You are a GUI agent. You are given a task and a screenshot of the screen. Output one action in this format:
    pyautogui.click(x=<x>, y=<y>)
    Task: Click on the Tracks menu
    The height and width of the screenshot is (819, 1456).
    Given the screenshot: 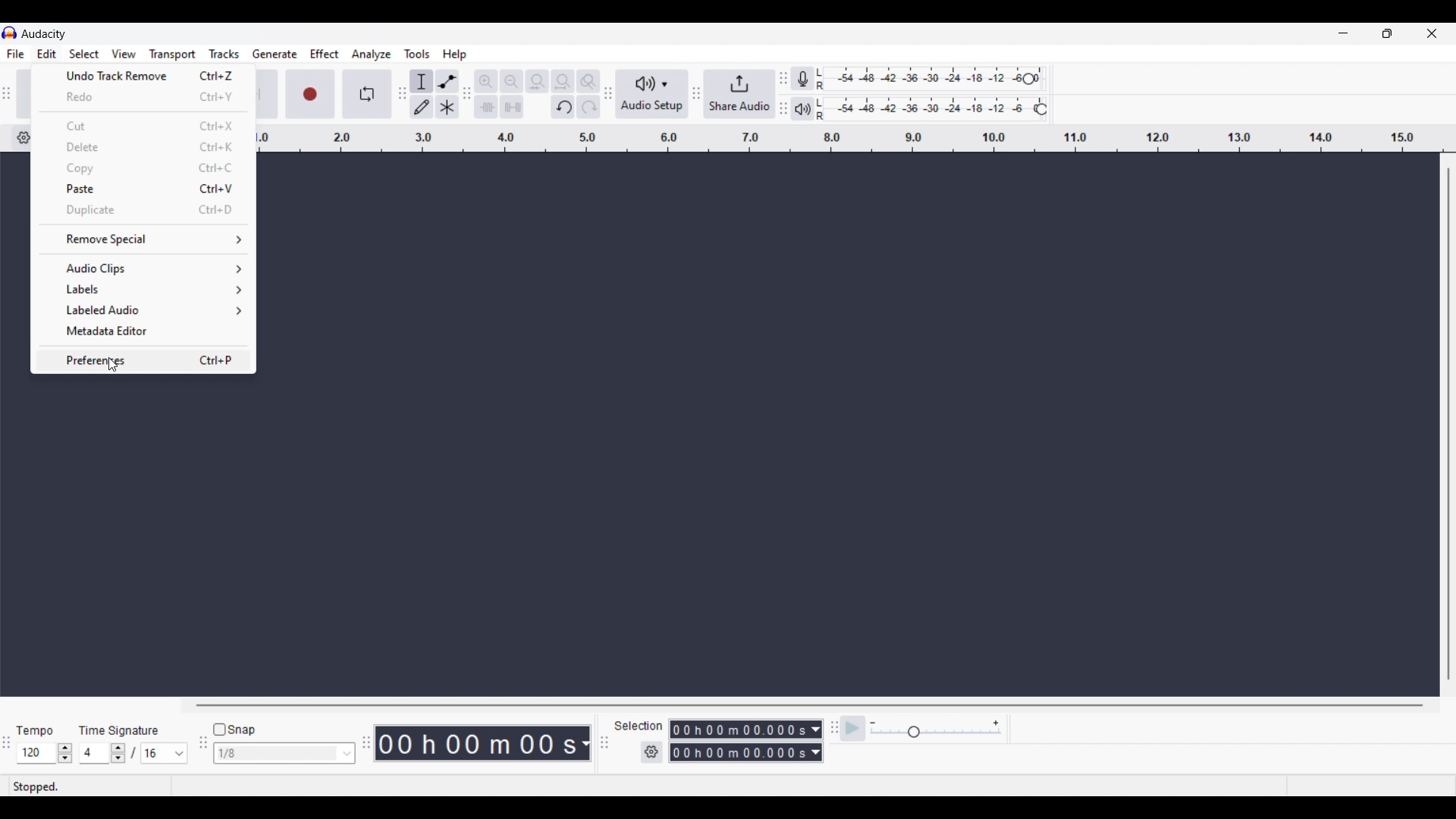 What is the action you would take?
    pyautogui.click(x=224, y=54)
    